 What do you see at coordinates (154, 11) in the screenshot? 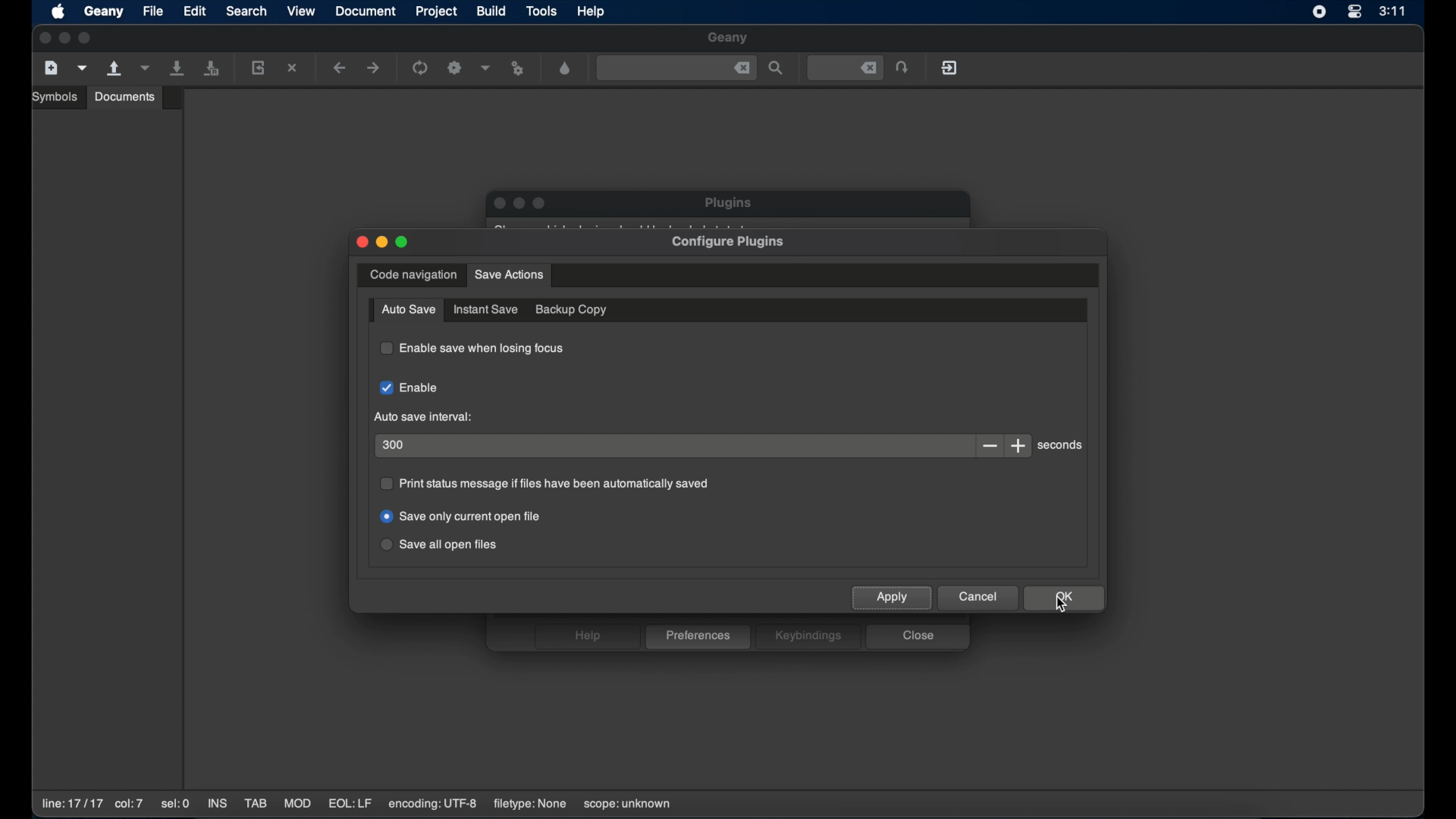
I see `file` at bounding box center [154, 11].